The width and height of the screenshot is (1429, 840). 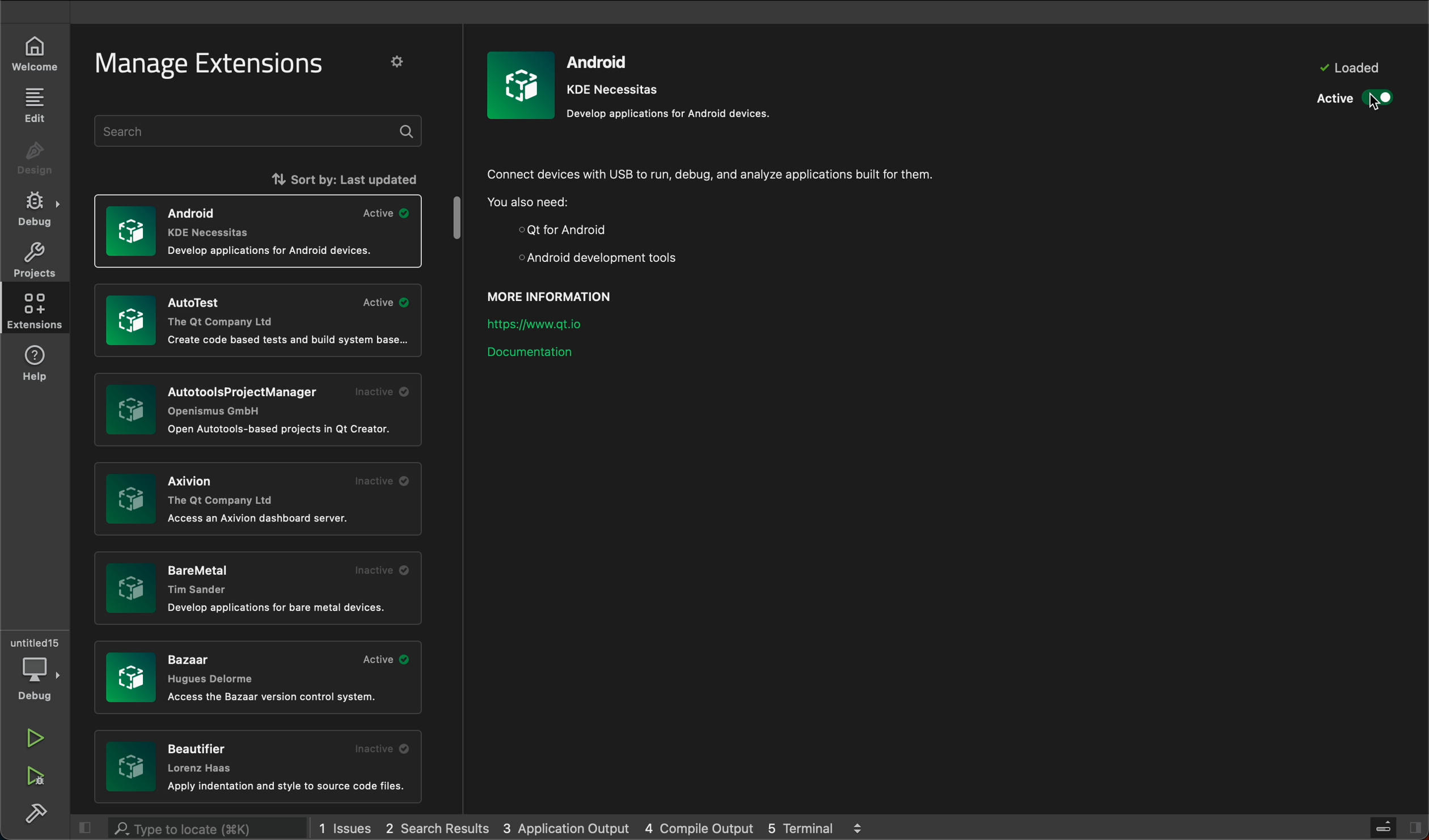 What do you see at coordinates (35, 56) in the screenshot?
I see `welcome` at bounding box center [35, 56].